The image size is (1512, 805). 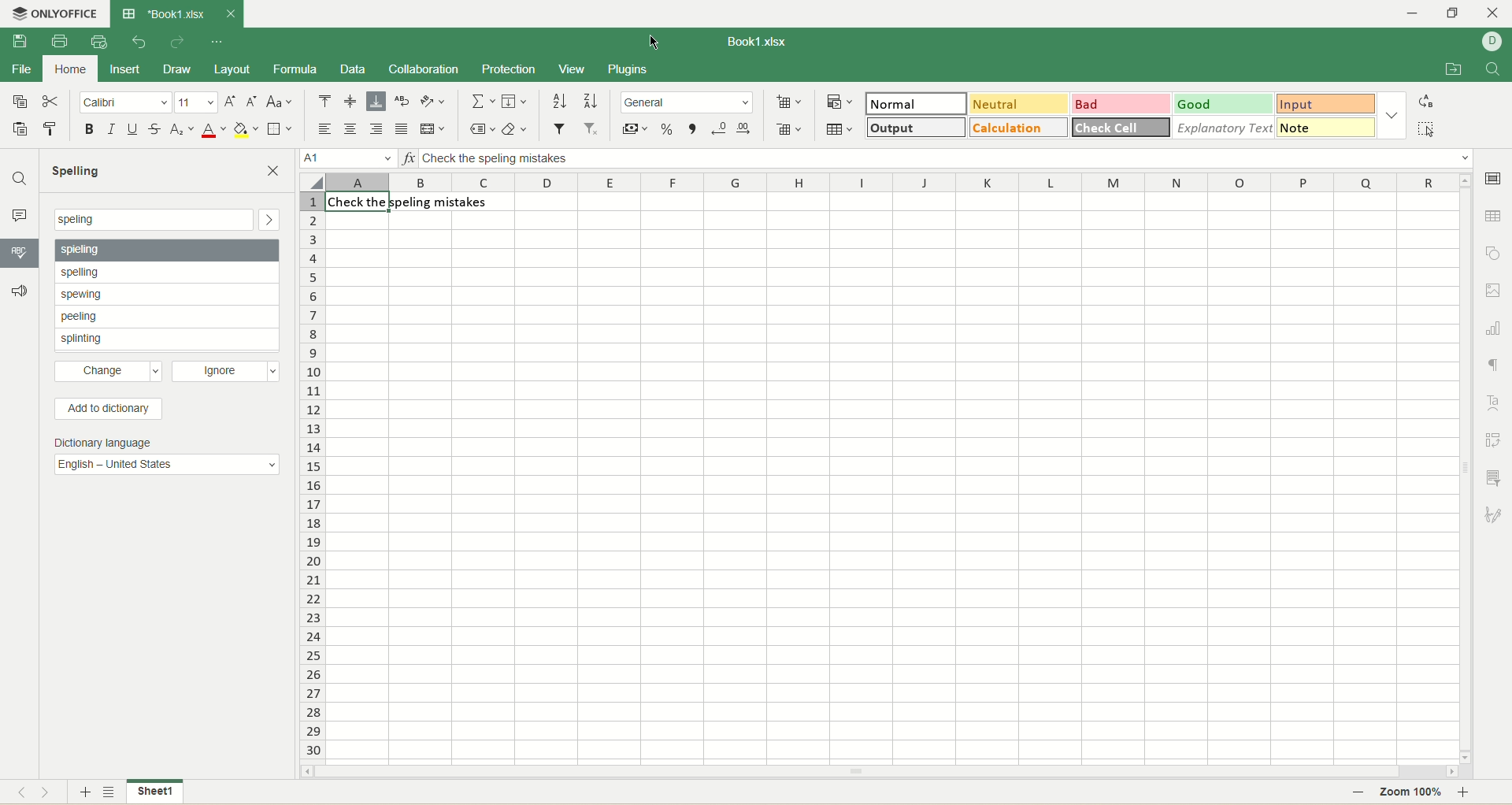 What do you see at coordinates (70, 71) in the screenshot?
I see `home` at bounding box center [70, 71].